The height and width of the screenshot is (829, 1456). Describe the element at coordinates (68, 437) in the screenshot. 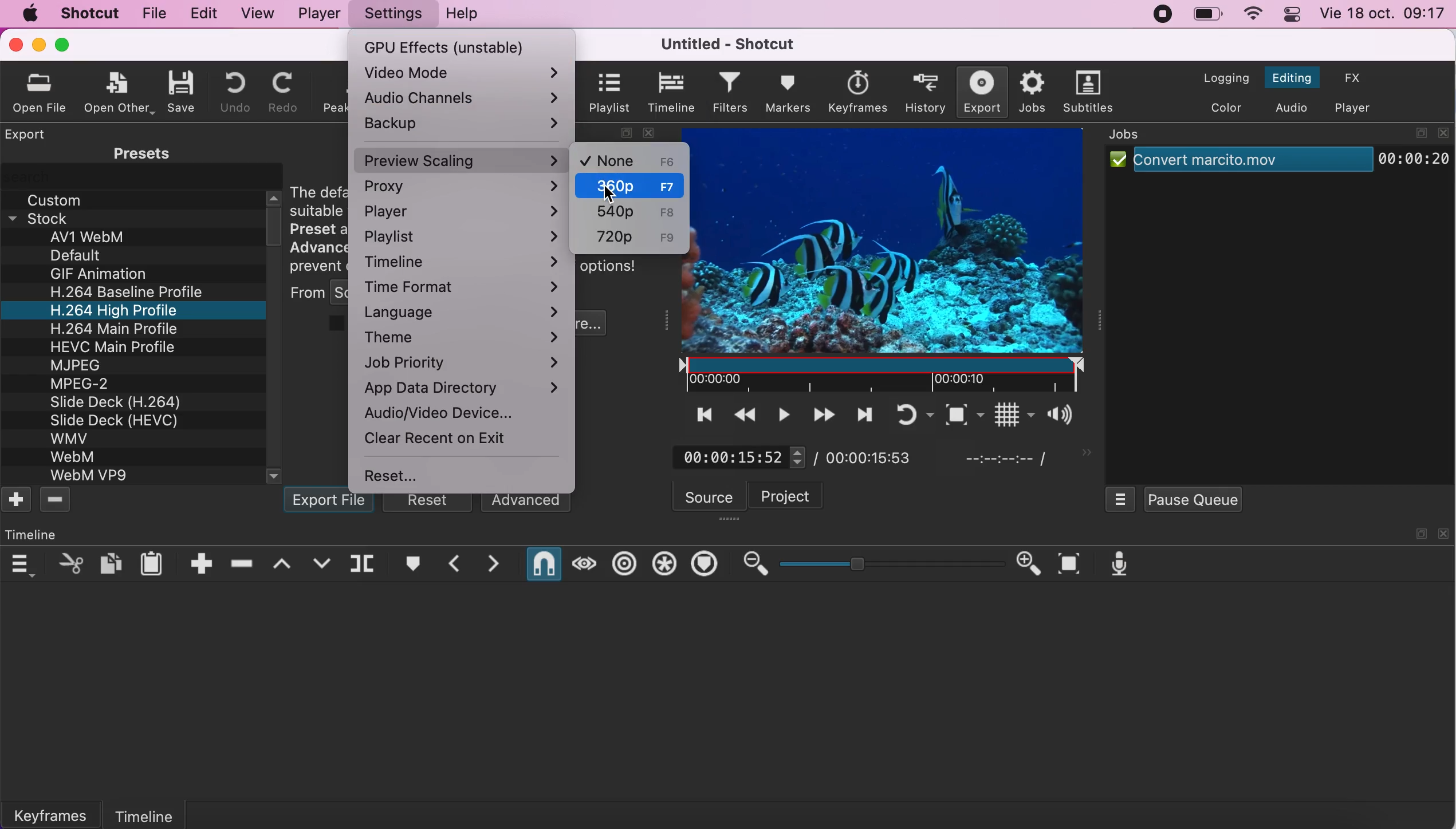

I see `WMV` at that location.